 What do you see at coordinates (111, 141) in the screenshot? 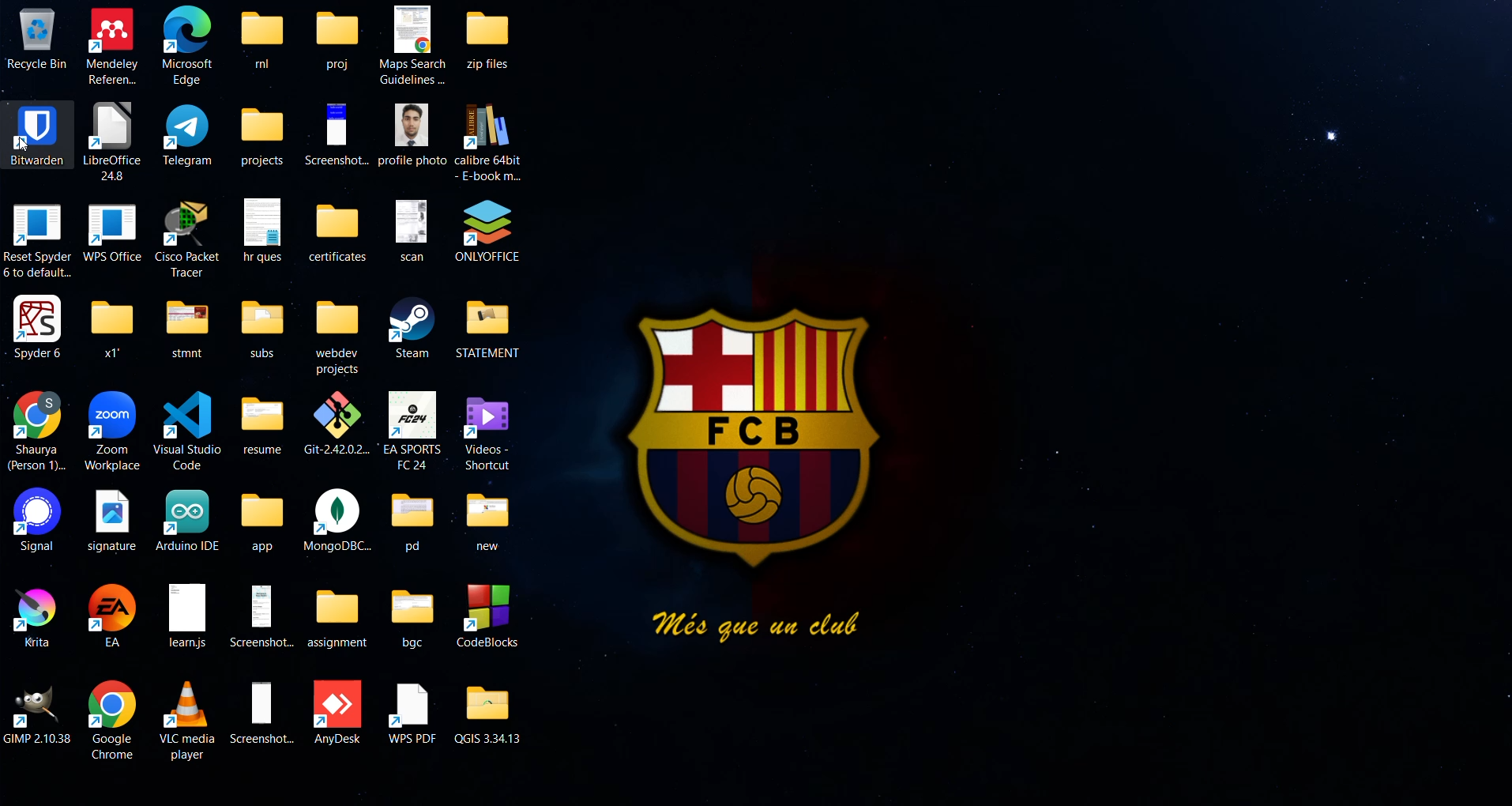
I see `LibreOffice 24.8` at bounding box center [111, 141].